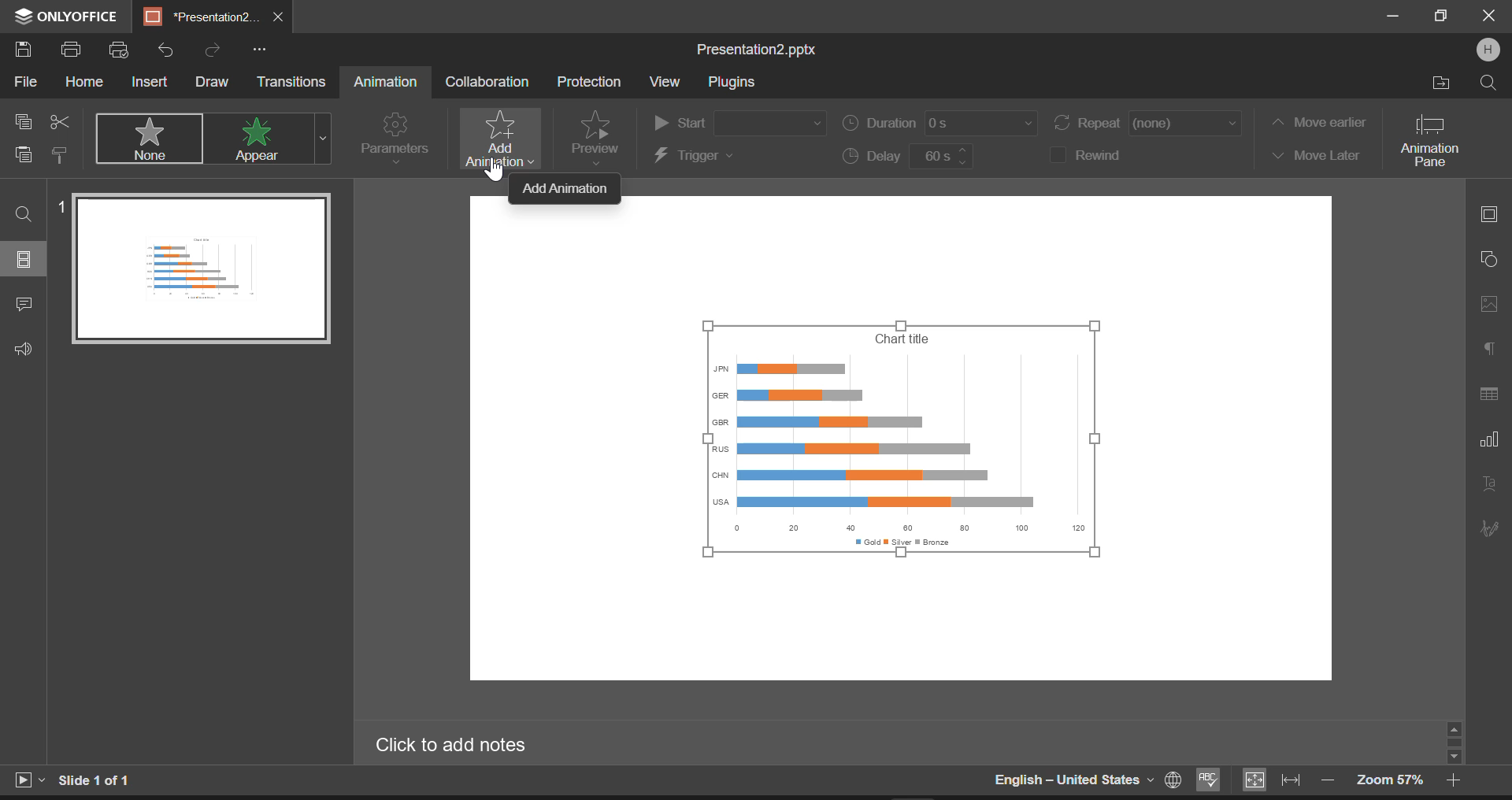 The image size is (1512, 800). I want to click on Feedback & Support, so click(23, 350).